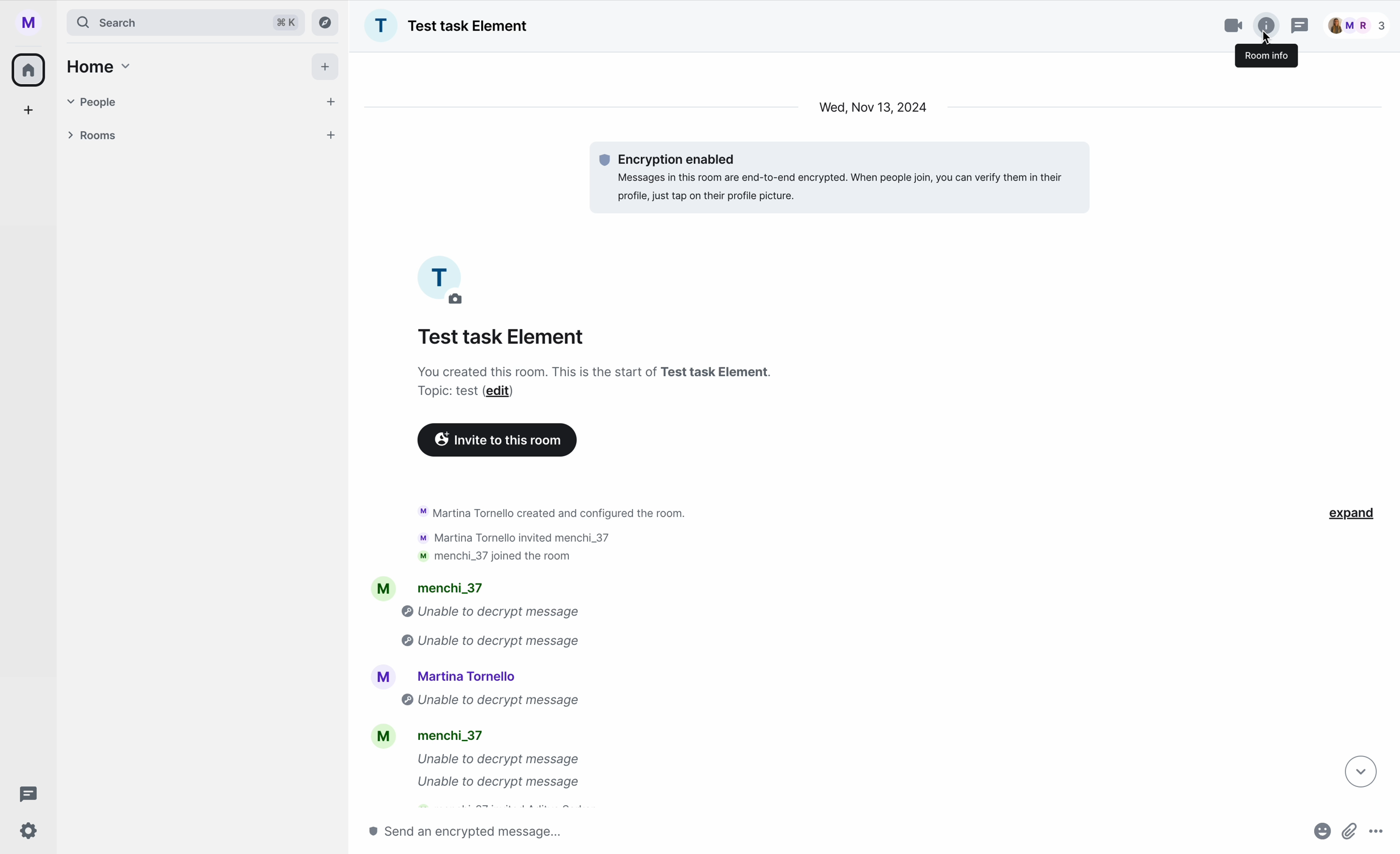  Describe the element at coordinates (326, 23) in the screenshot. I see `explore` at that location.